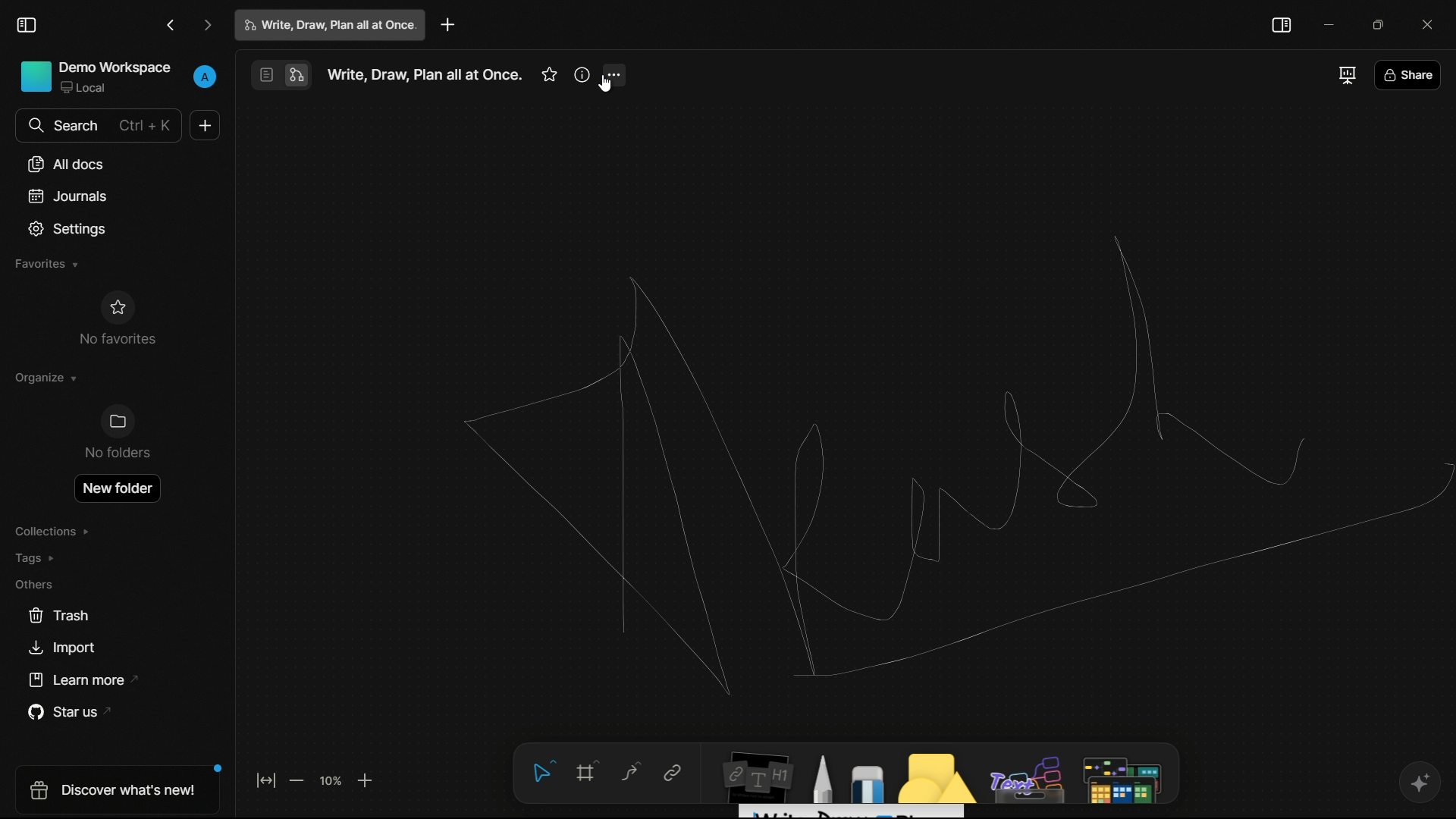 This screenshot has height=819, width=1456. What do you see at coordinates (116, 453) in the screenshot?
I see `No folder` at bounding box center [116, 453].